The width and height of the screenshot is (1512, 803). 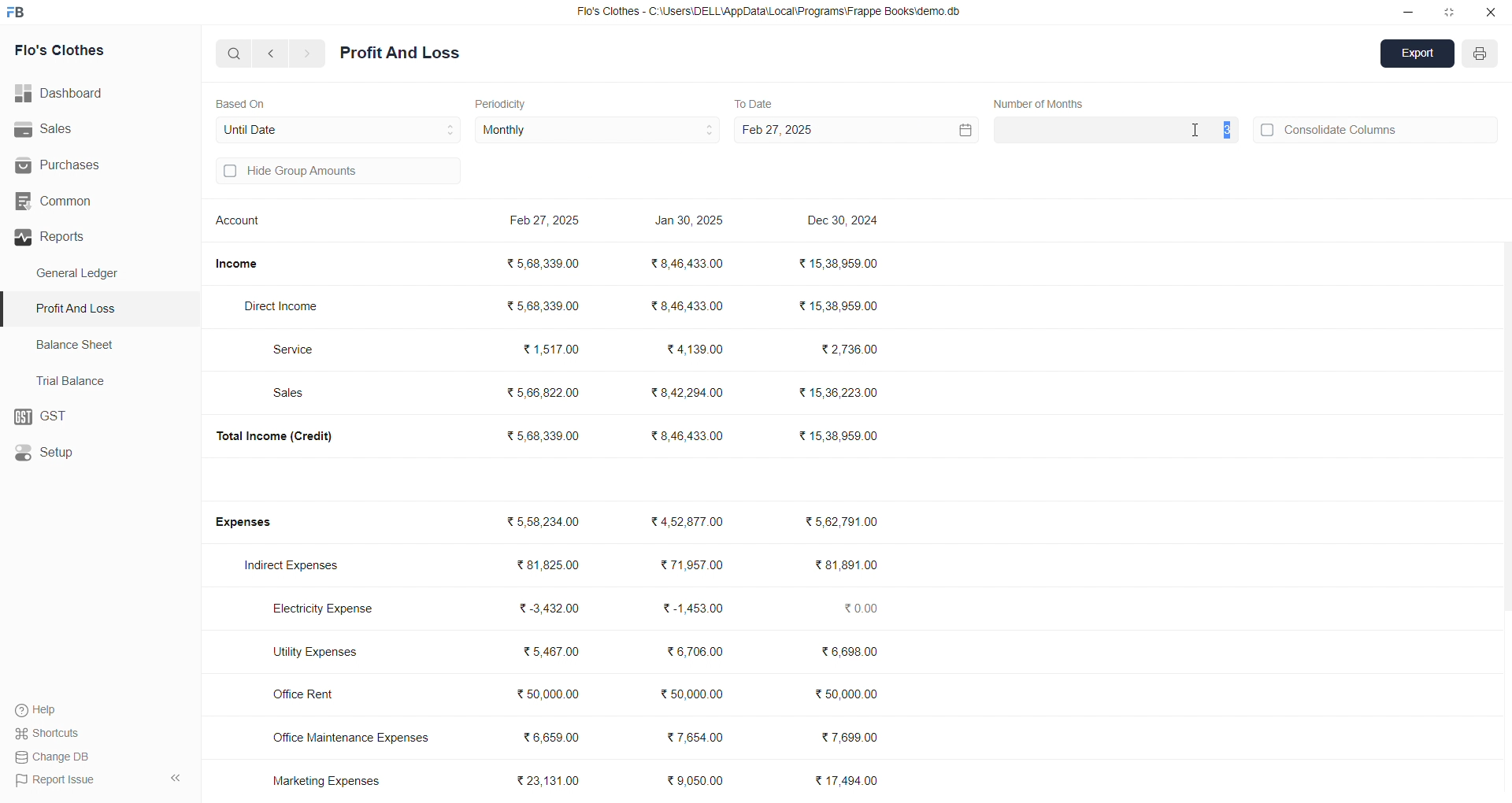 I want to click on ₹5,68,339.00, so click(x=546, y=435).